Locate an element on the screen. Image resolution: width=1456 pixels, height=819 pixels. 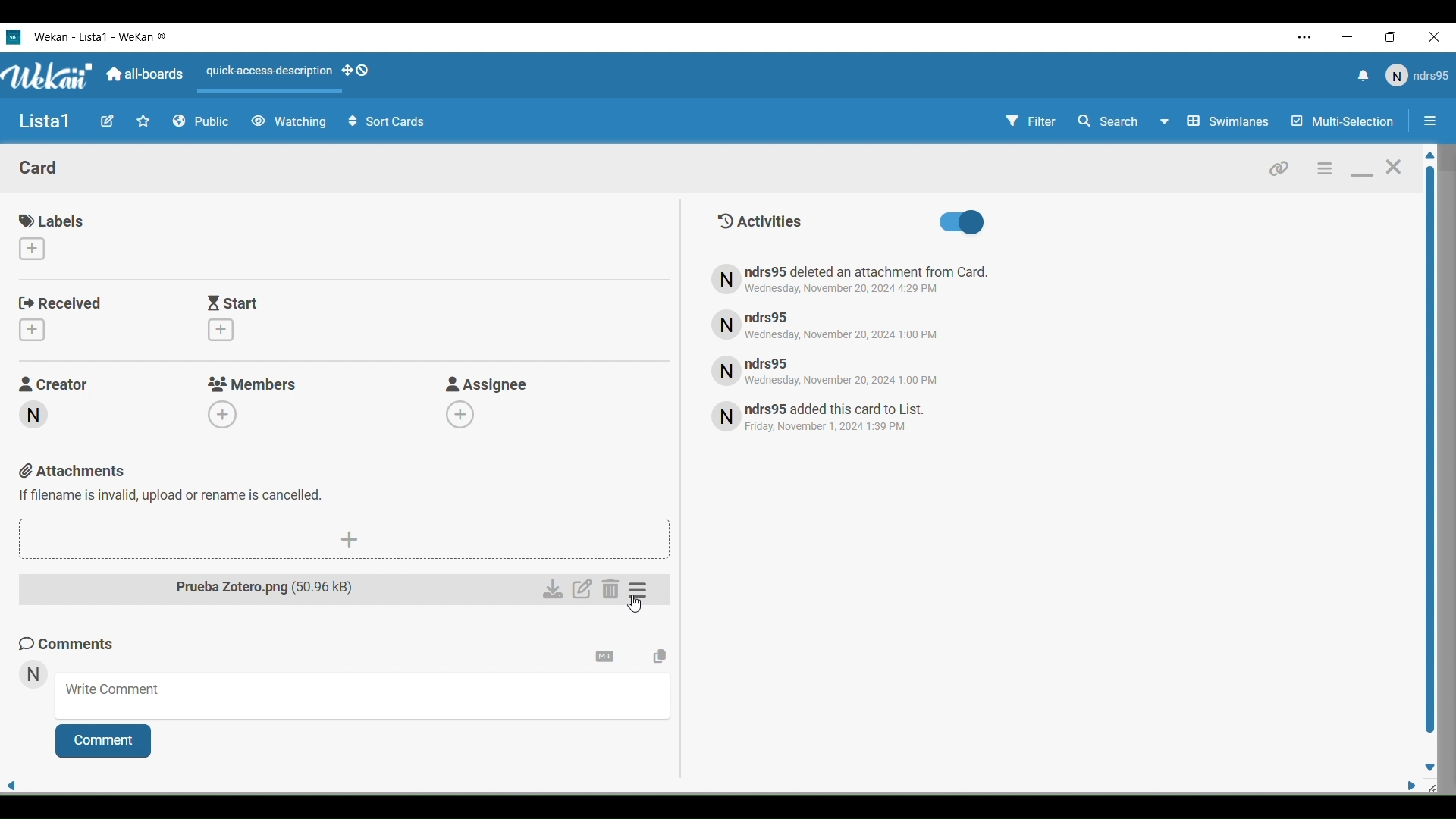
Start is located at coordinates (234, 303).